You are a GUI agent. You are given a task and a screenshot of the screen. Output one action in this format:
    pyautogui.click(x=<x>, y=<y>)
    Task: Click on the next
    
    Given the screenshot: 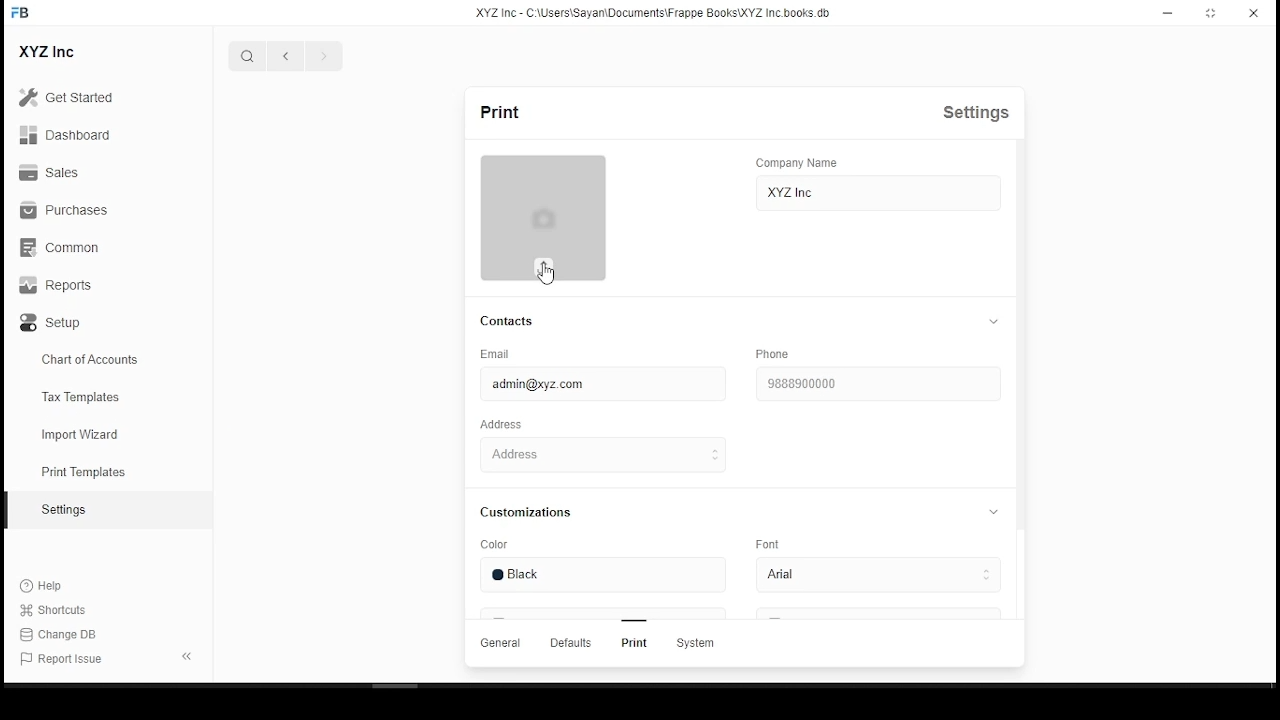 What is the action you would take?
    pyautogui.click(x=323, y=57)
    